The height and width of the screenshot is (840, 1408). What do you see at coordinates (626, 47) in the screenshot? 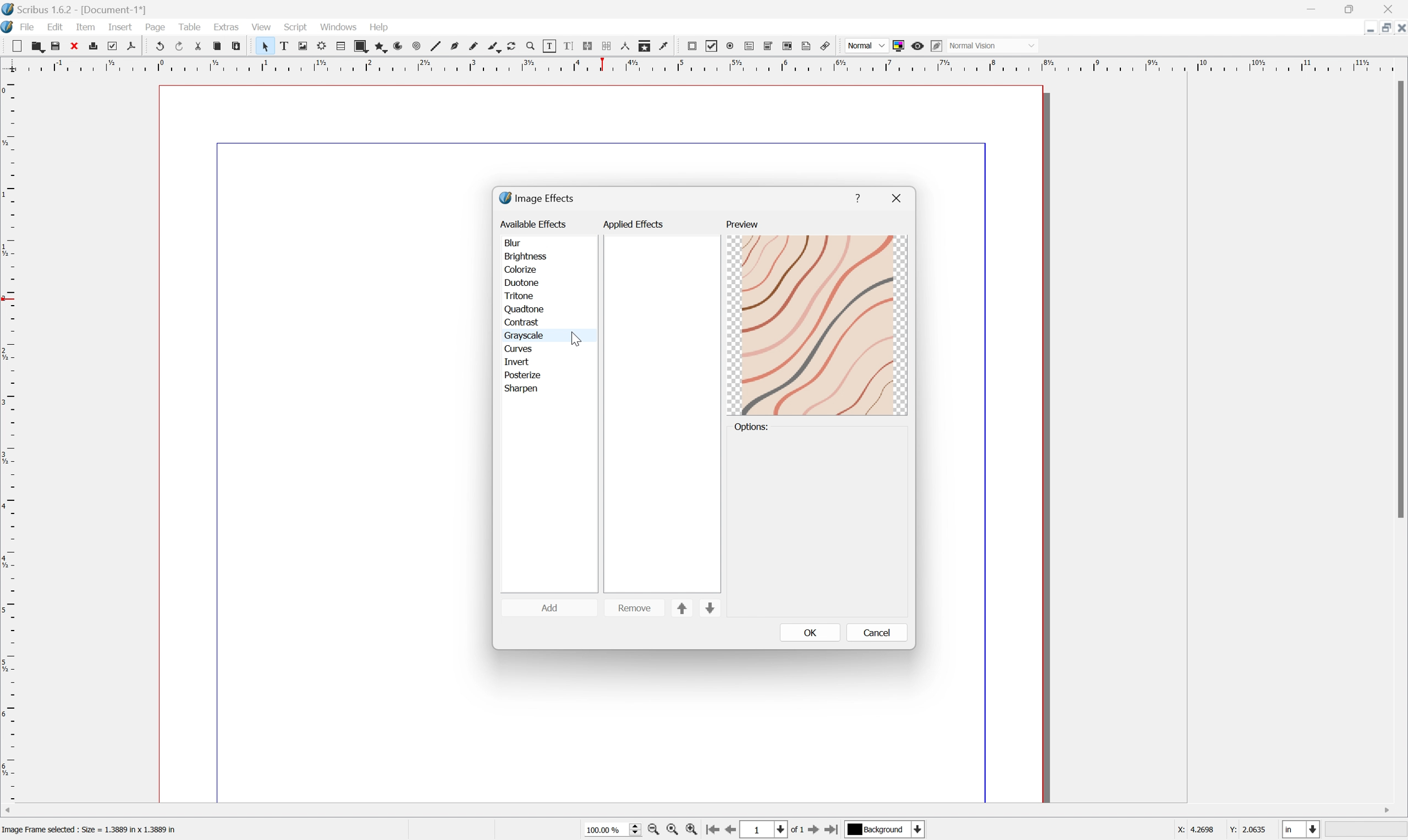
I see `Measurements` at bounding box center [626, 47].